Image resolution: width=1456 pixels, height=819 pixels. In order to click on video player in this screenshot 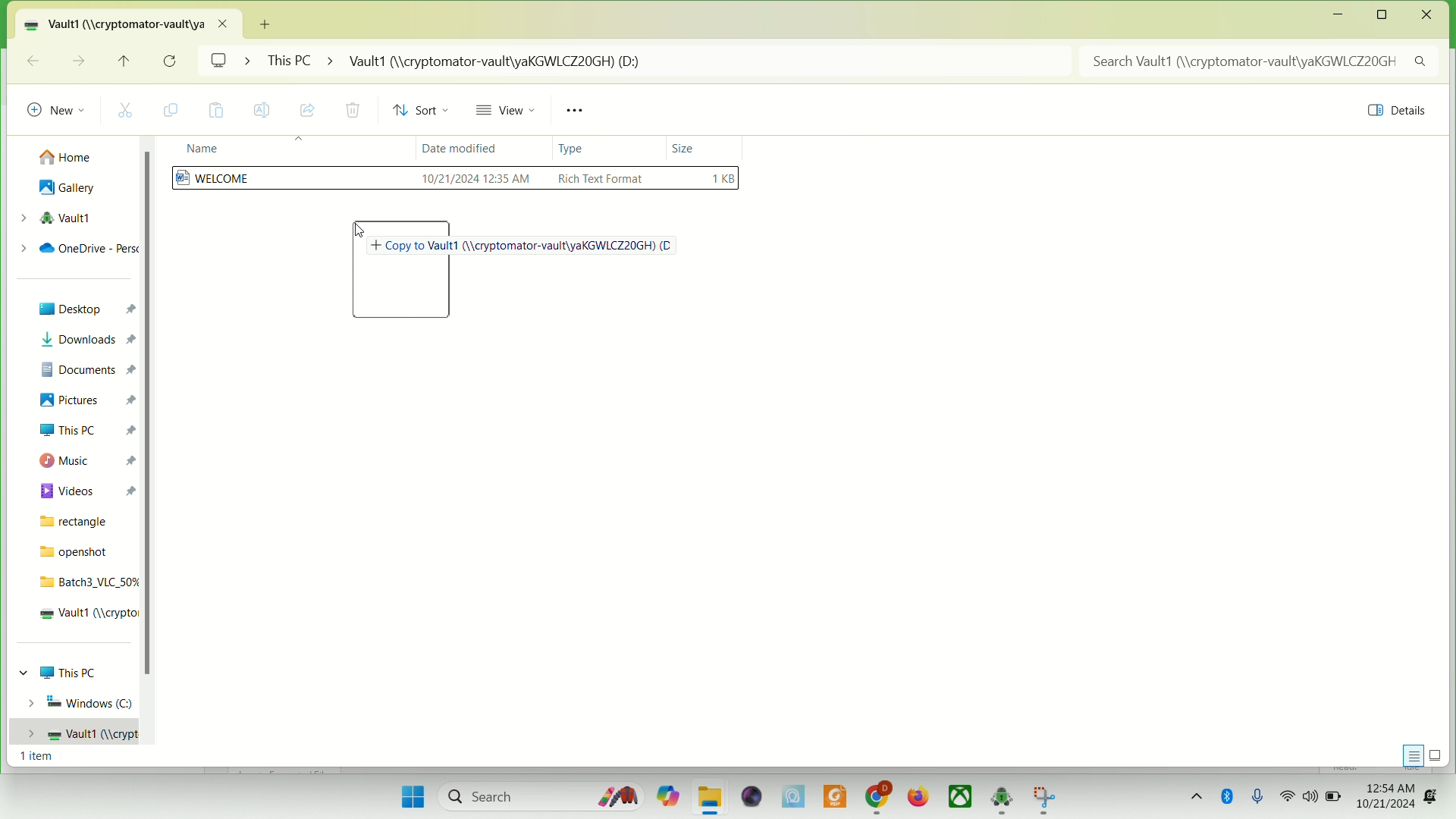, I will do `click(748, 795)`.